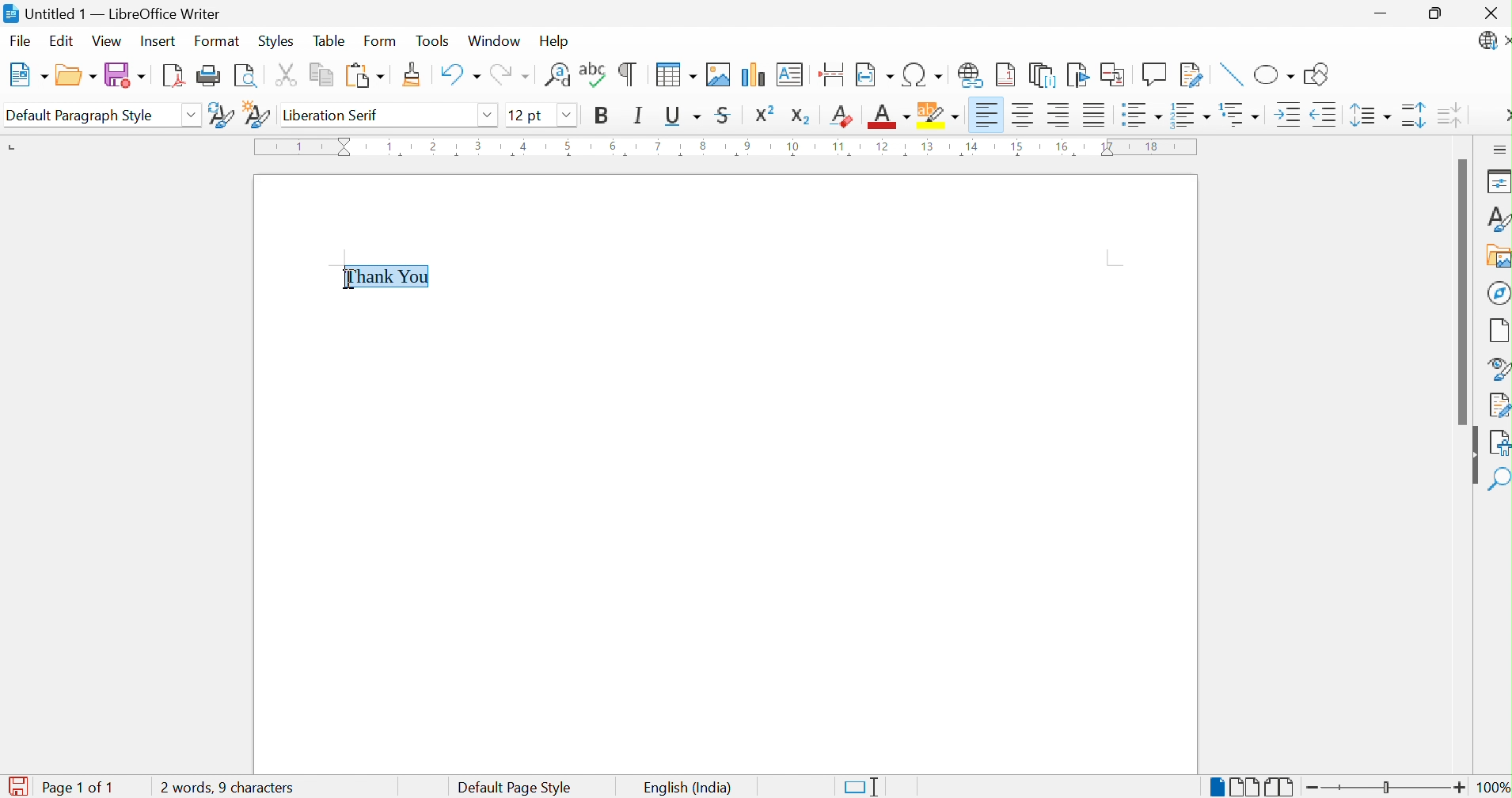 The height and width of the screenshot is (798, 1512). I want to click on Undo, so click(460, 75).